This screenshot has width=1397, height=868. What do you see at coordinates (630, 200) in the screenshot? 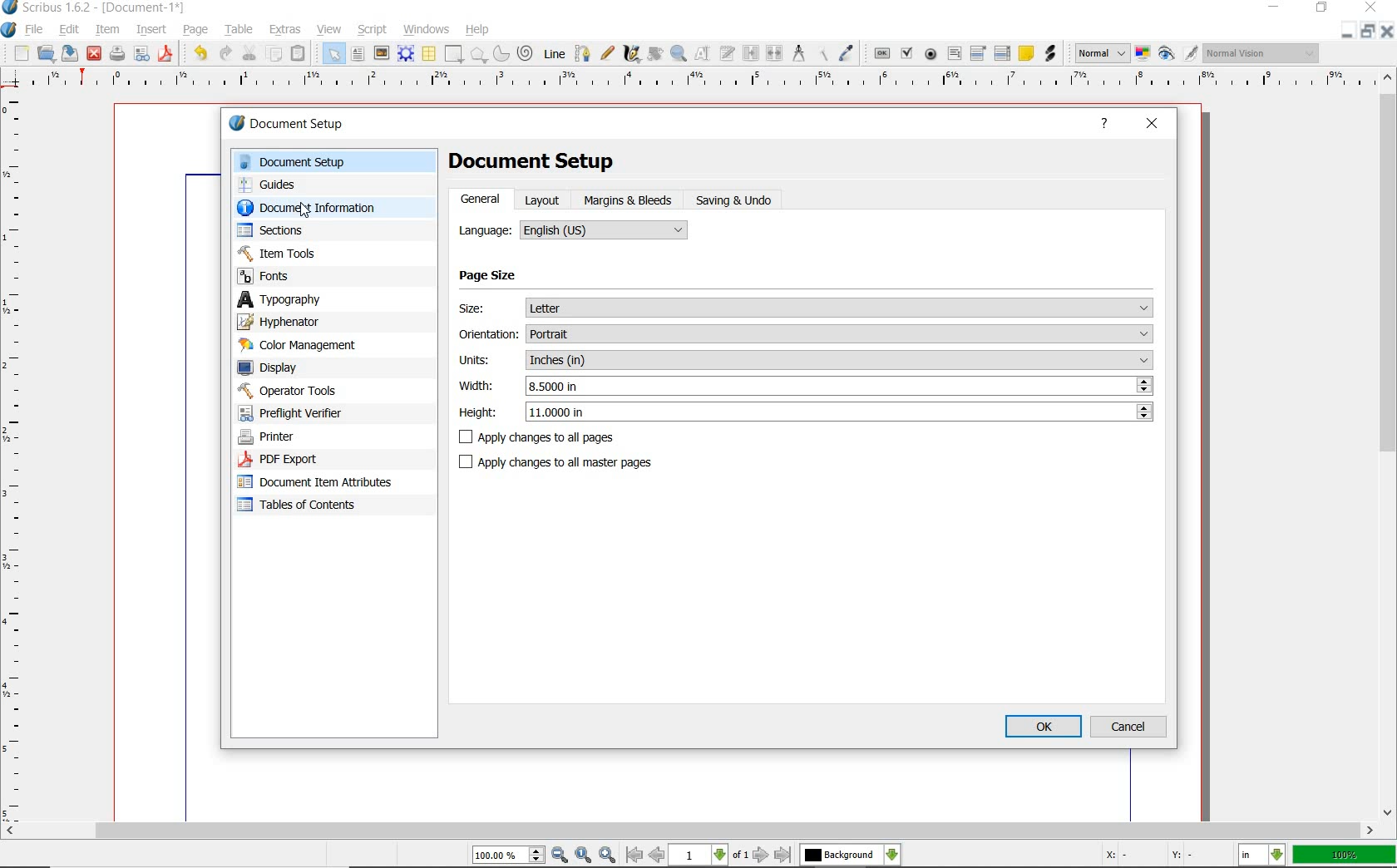
I see `margins & bleeds` at bounding box center [630, 200].